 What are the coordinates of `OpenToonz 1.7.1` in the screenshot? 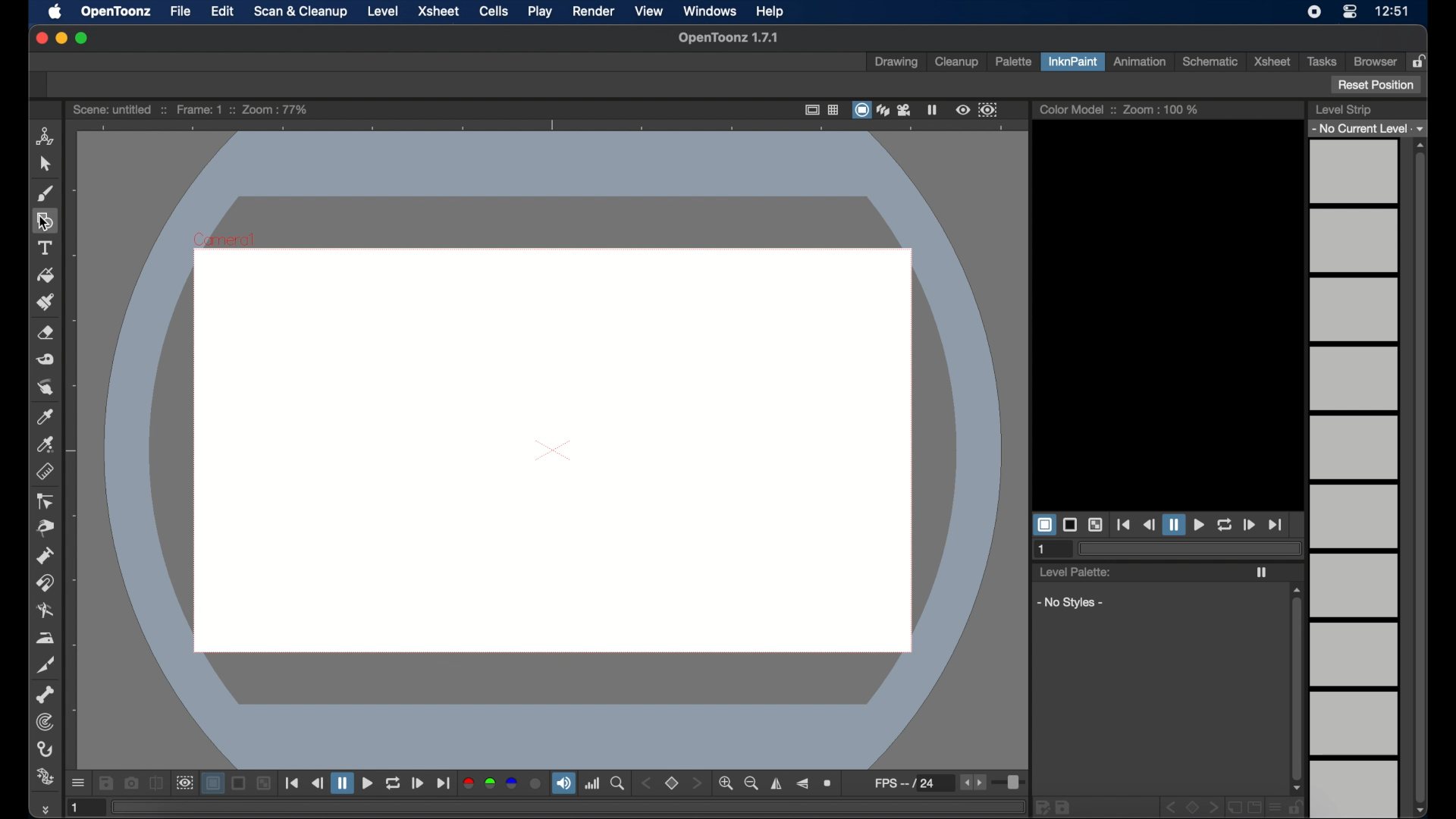 It's located at (728, 38).